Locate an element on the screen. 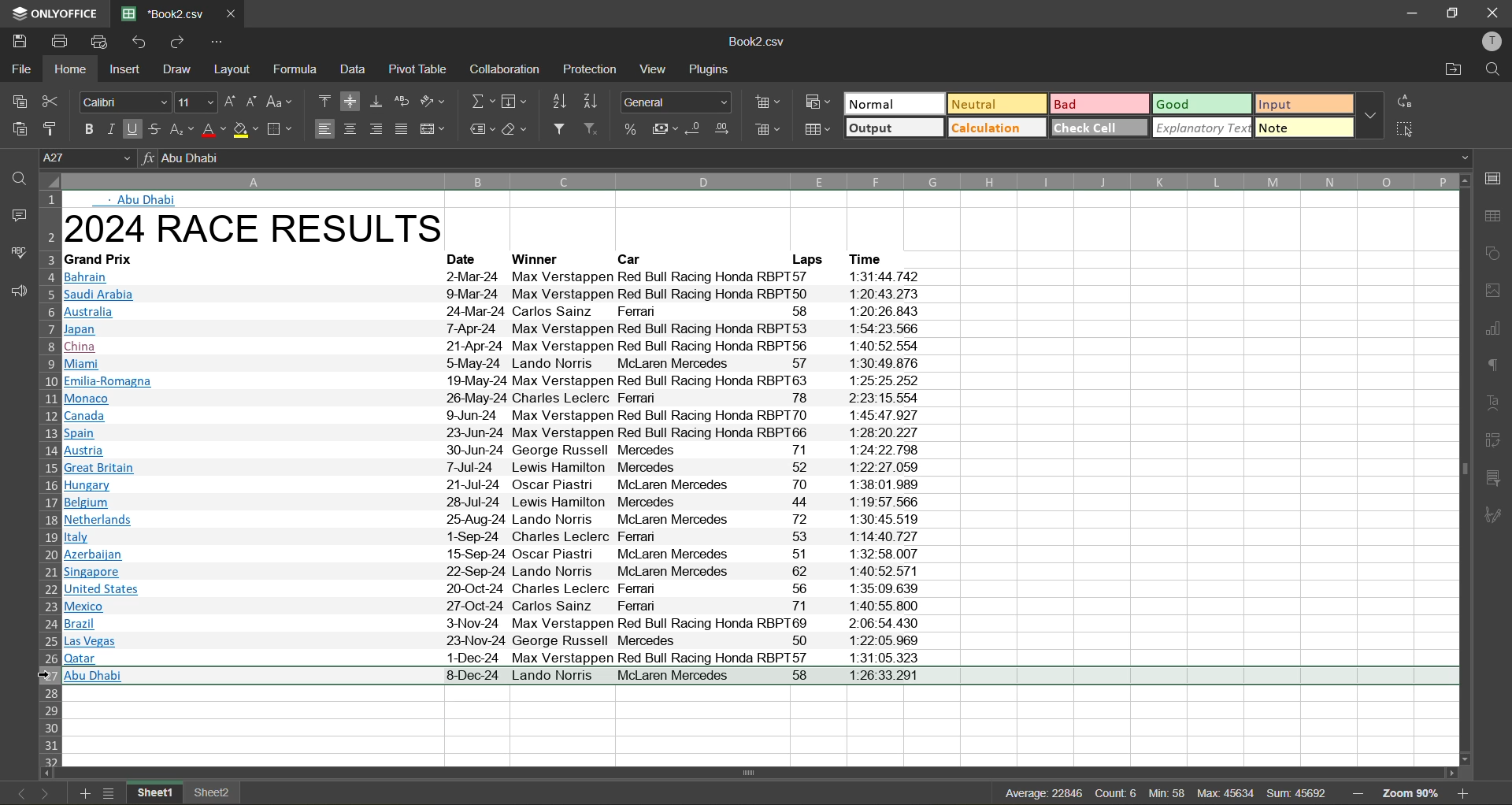  insert cells  is located at coordinates (769, 102).